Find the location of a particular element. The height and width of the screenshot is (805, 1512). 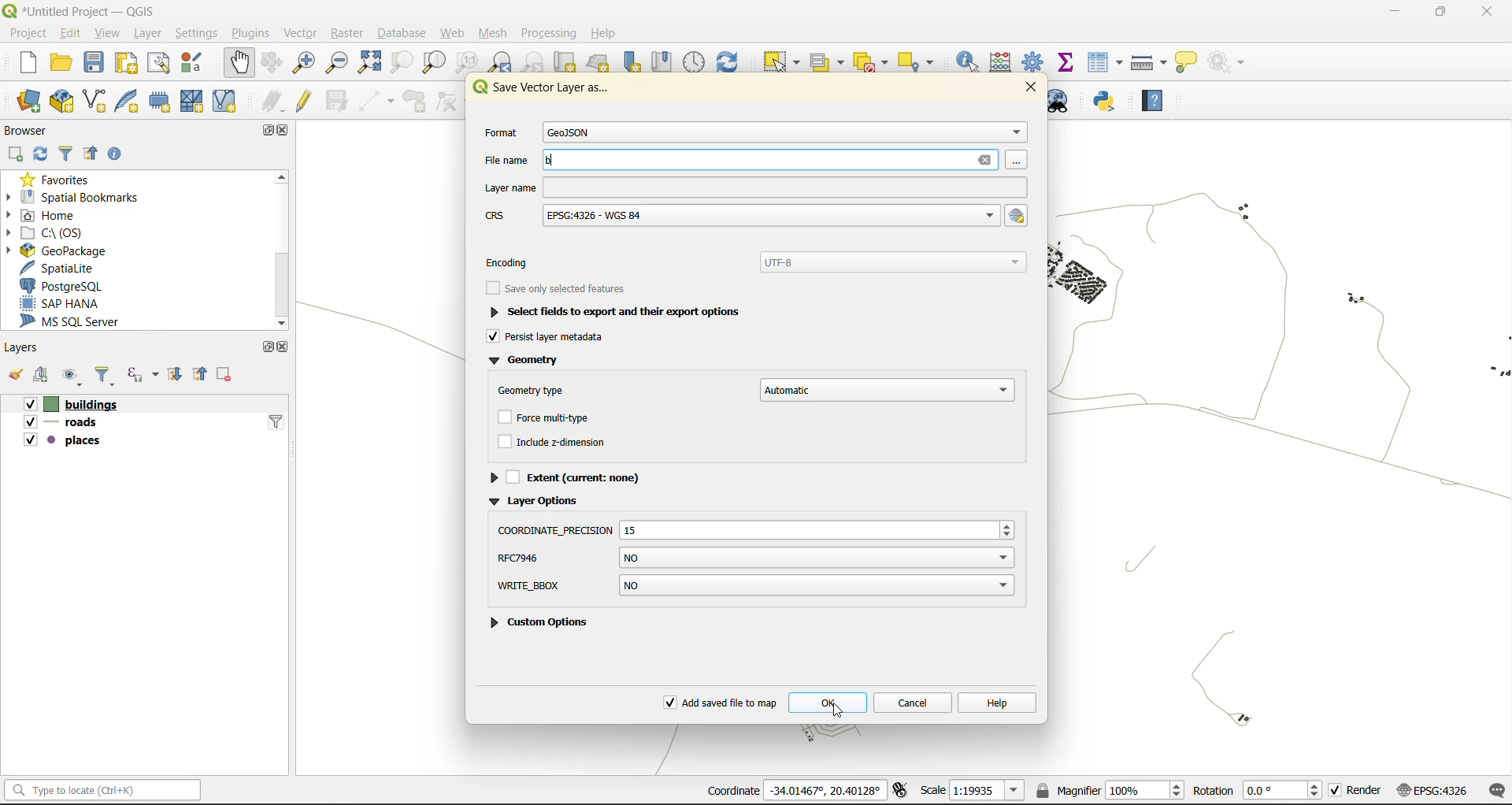

refresh is located at coordinates (43, 154).